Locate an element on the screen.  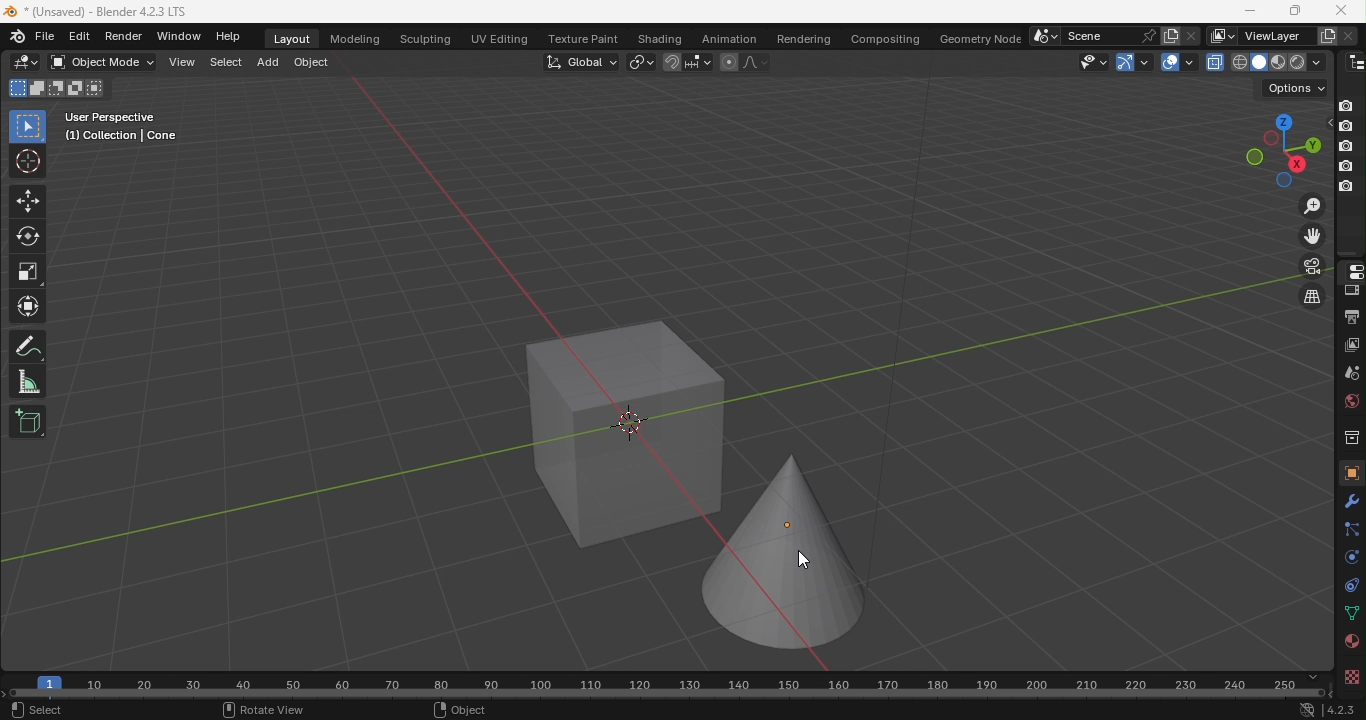
Mode is located at coordinates (16, 88).